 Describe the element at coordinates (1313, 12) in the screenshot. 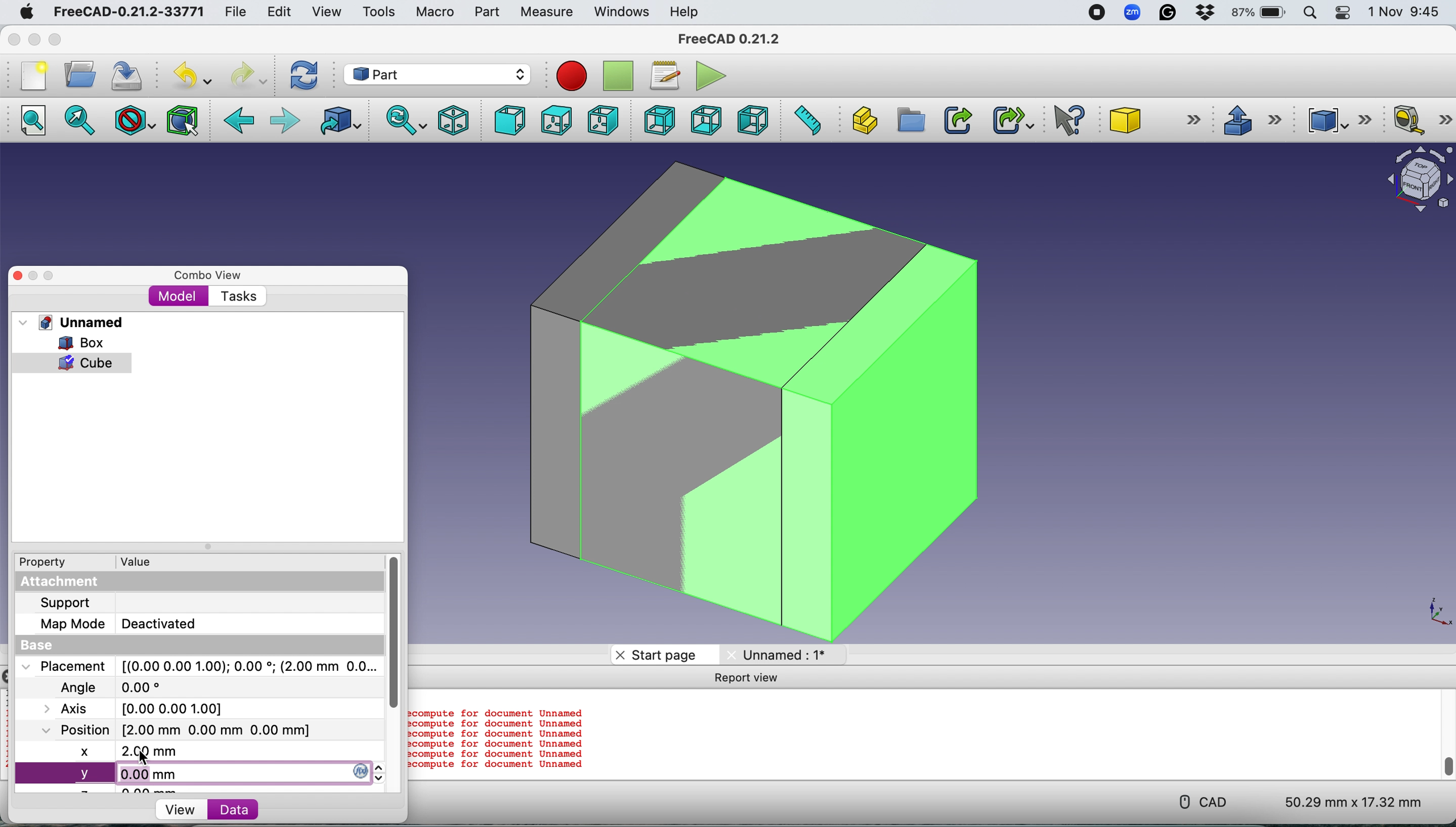

I see `Spotlight search` at that location.